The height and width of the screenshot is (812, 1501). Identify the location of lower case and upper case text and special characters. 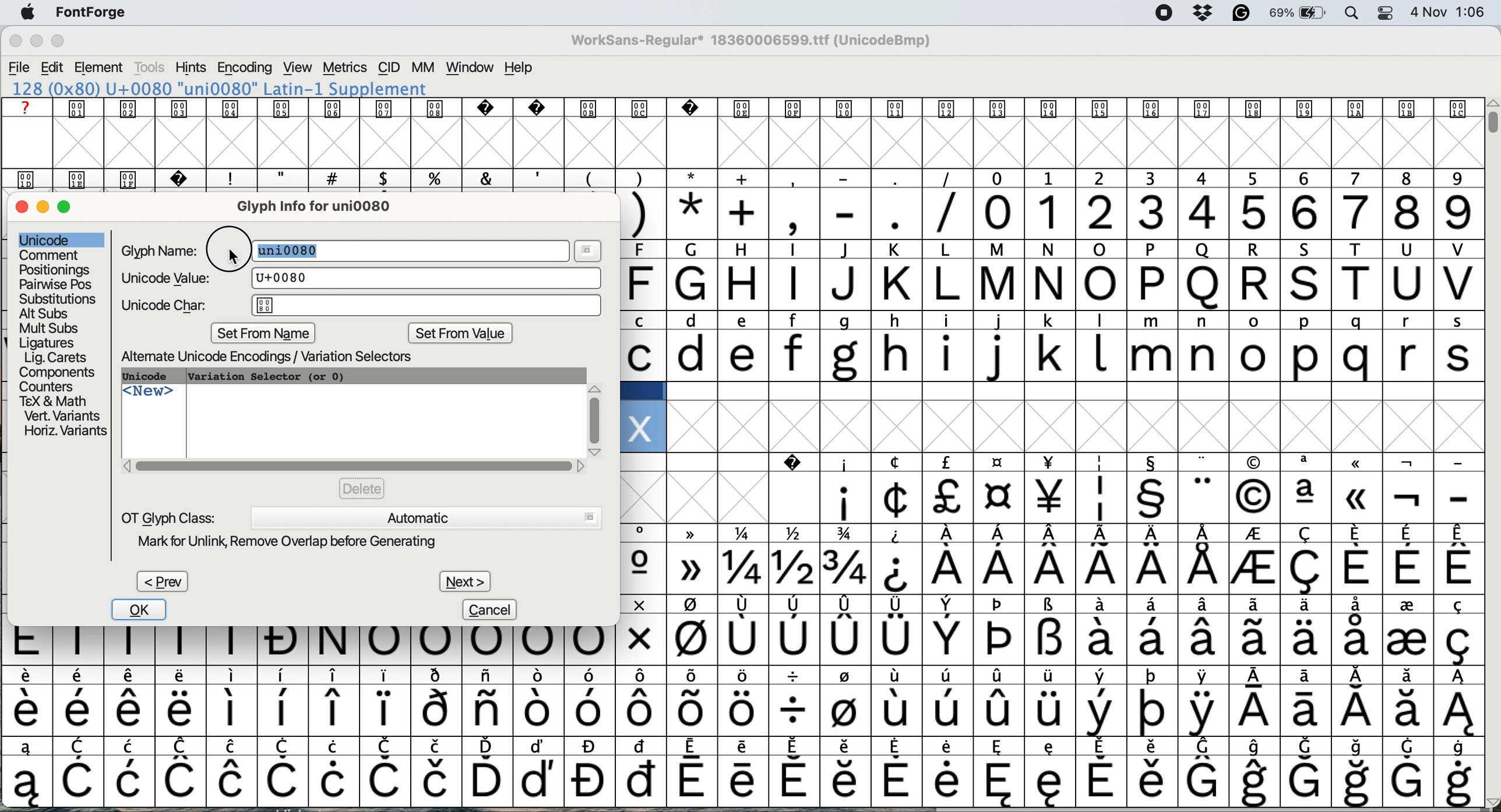
(1052, 321).